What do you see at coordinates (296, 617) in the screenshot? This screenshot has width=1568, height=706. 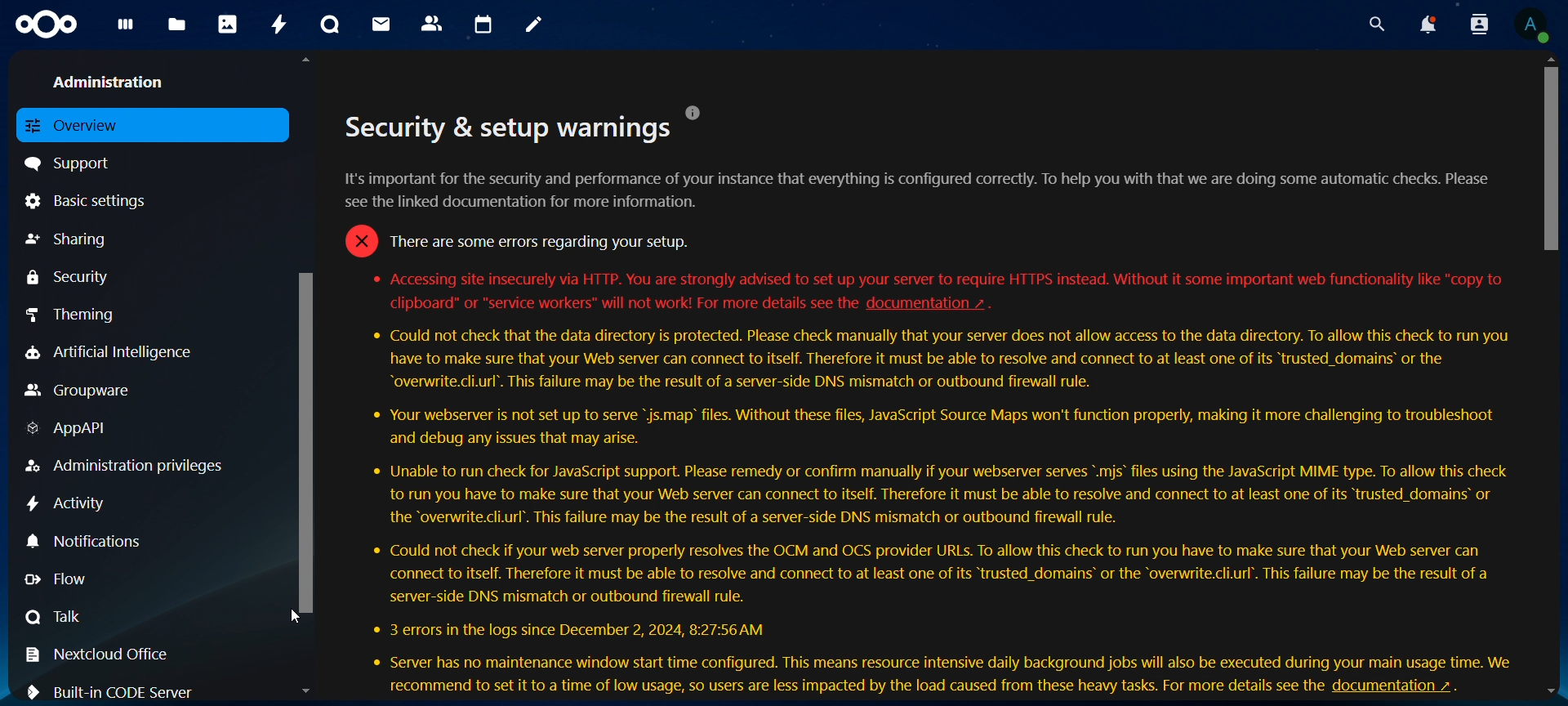 I see `cursor` at bounding box center [296, 617].